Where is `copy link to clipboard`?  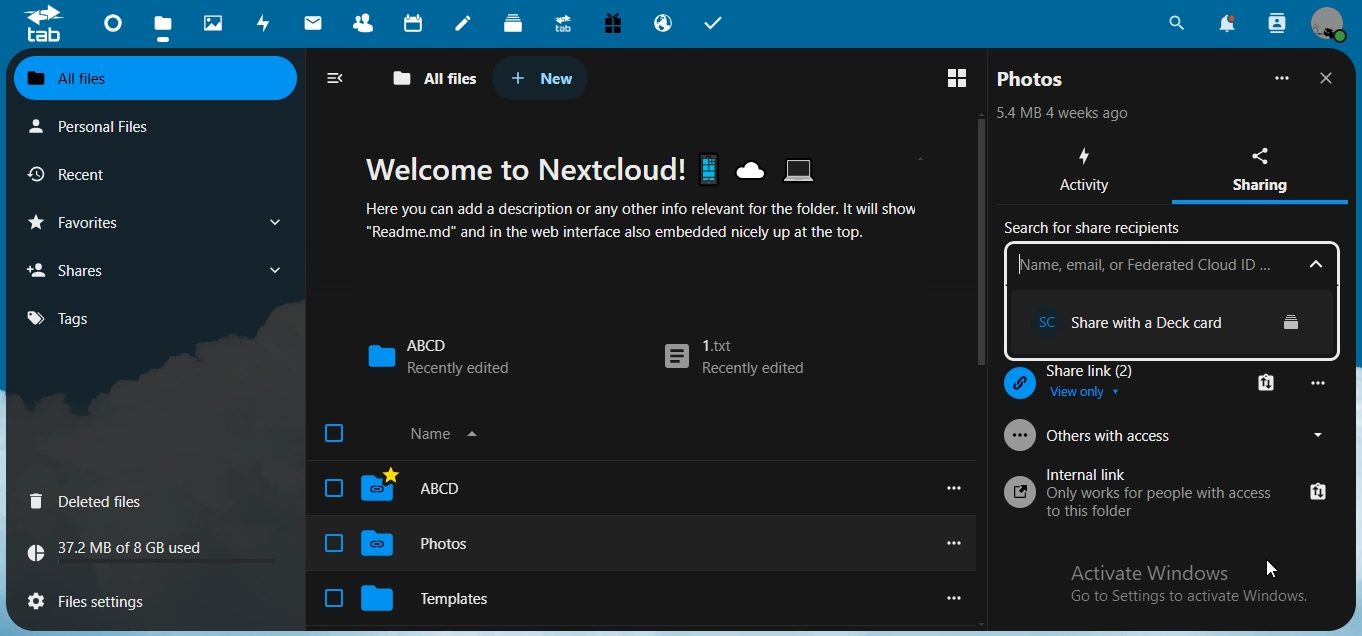
copy link to clipboard is located at coordinates (1269, 381).